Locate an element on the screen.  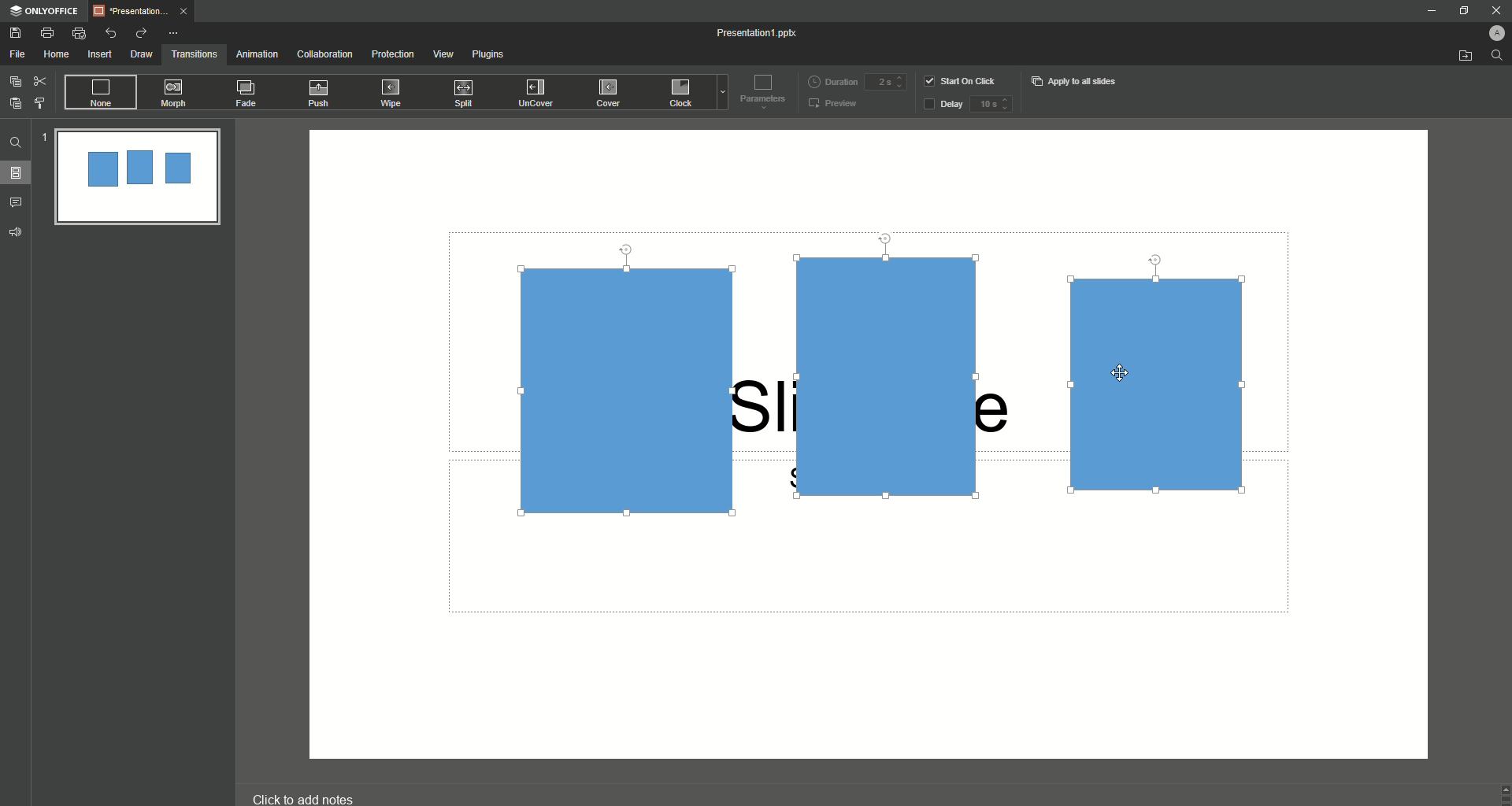
Comments is located at coordinates (19, 201).